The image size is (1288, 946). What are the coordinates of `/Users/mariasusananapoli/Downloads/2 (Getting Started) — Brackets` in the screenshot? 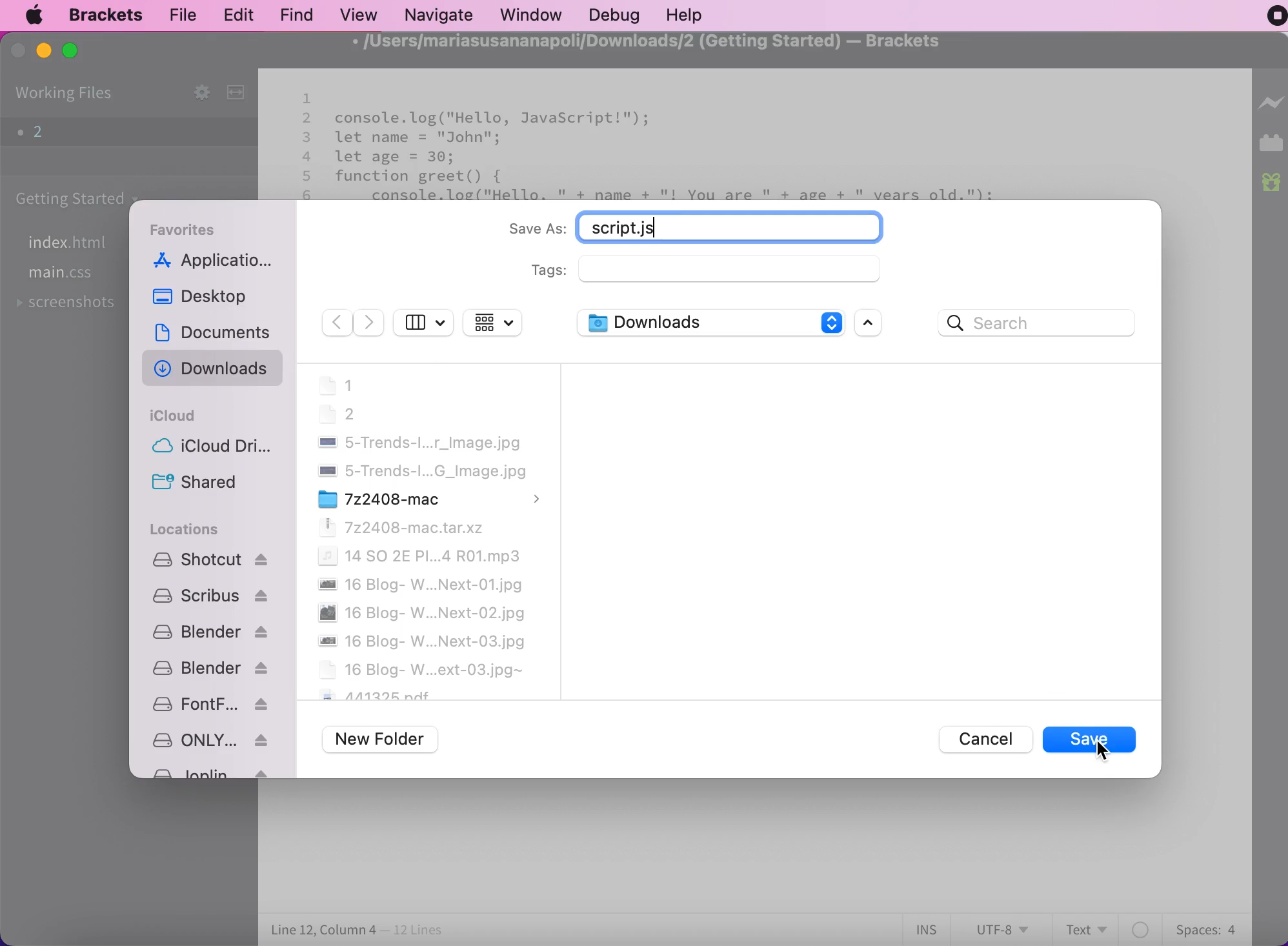 It's located at (641, 42).